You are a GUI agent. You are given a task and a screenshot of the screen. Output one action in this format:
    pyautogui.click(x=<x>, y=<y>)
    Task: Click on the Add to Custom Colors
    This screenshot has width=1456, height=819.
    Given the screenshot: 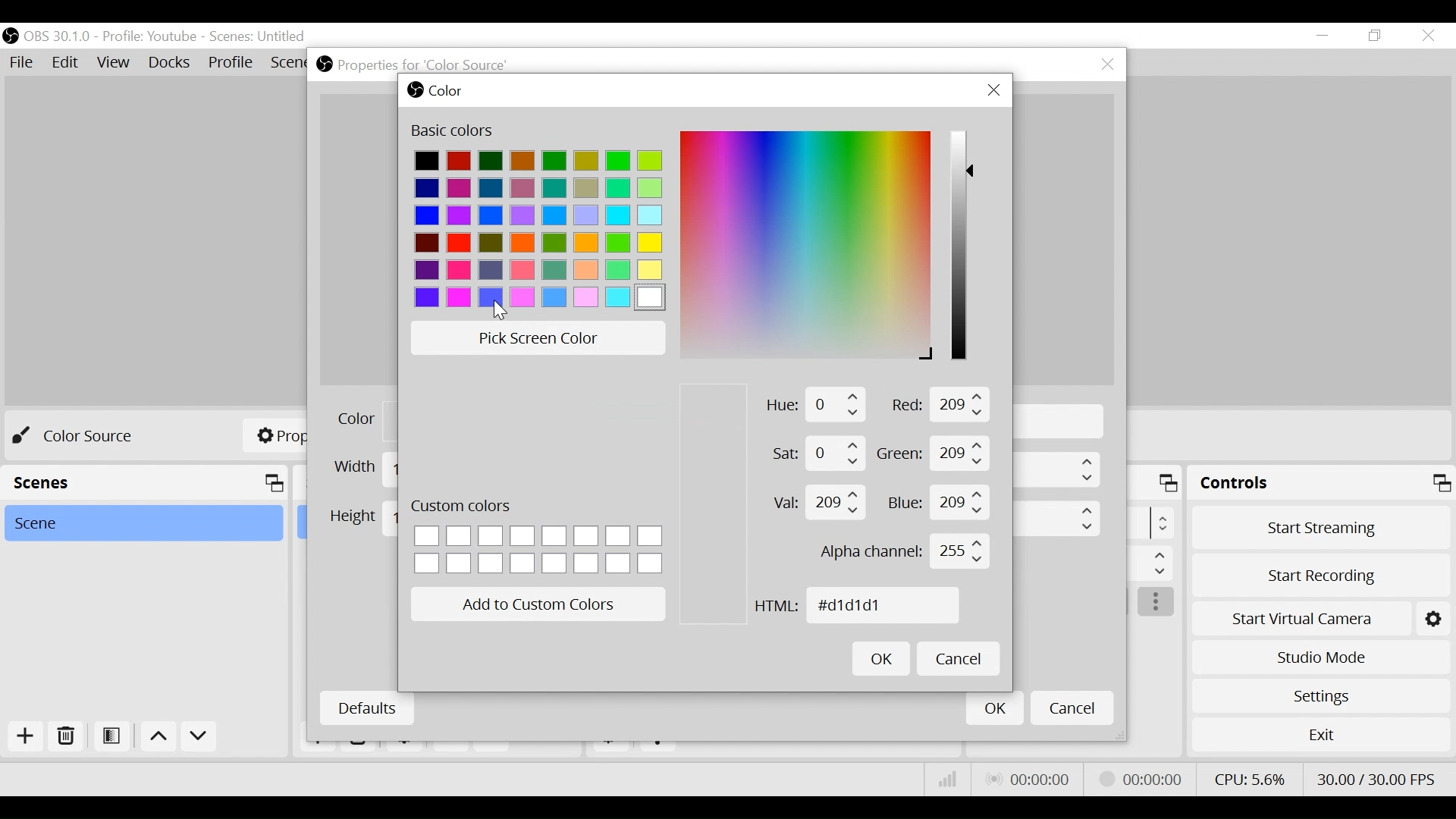 What is the action you would take?
    pyautogui.click(x=539, y=601)
    